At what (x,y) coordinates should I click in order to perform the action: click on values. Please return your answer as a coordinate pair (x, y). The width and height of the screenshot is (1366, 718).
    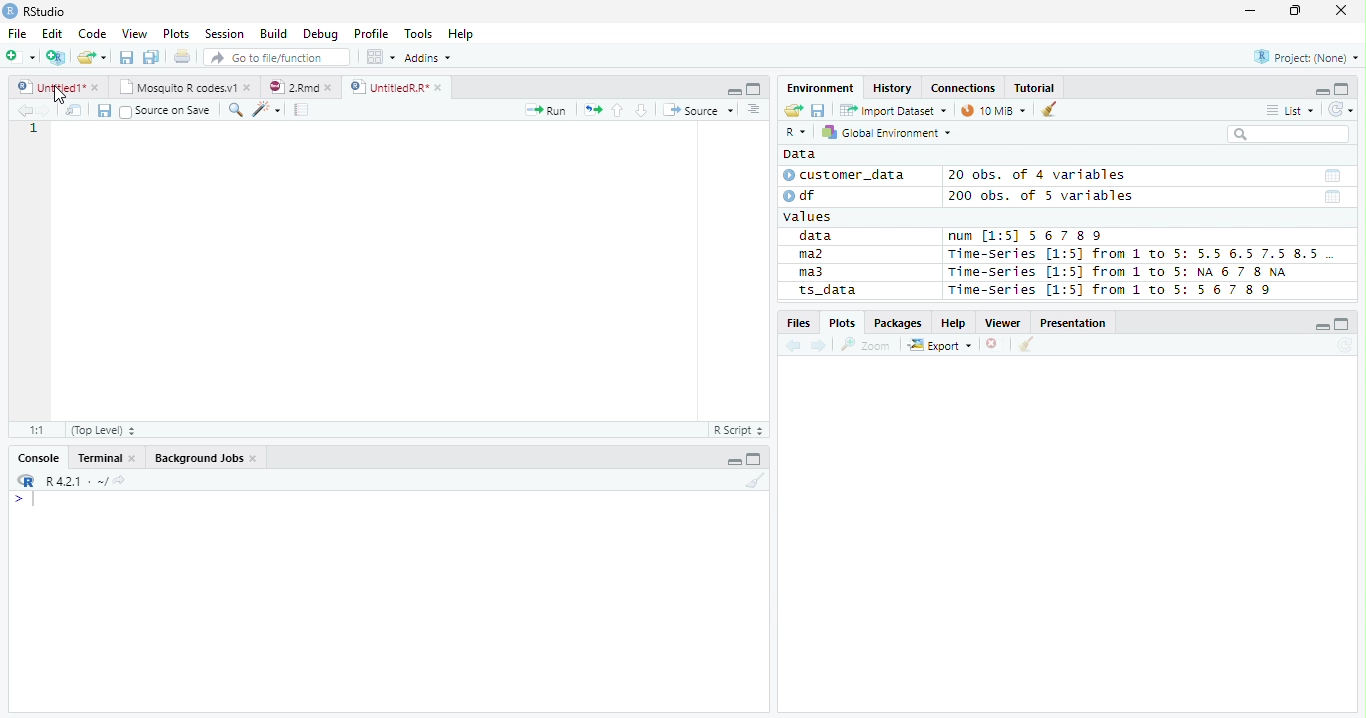
    Looking at the image, I should click on (810, 217).